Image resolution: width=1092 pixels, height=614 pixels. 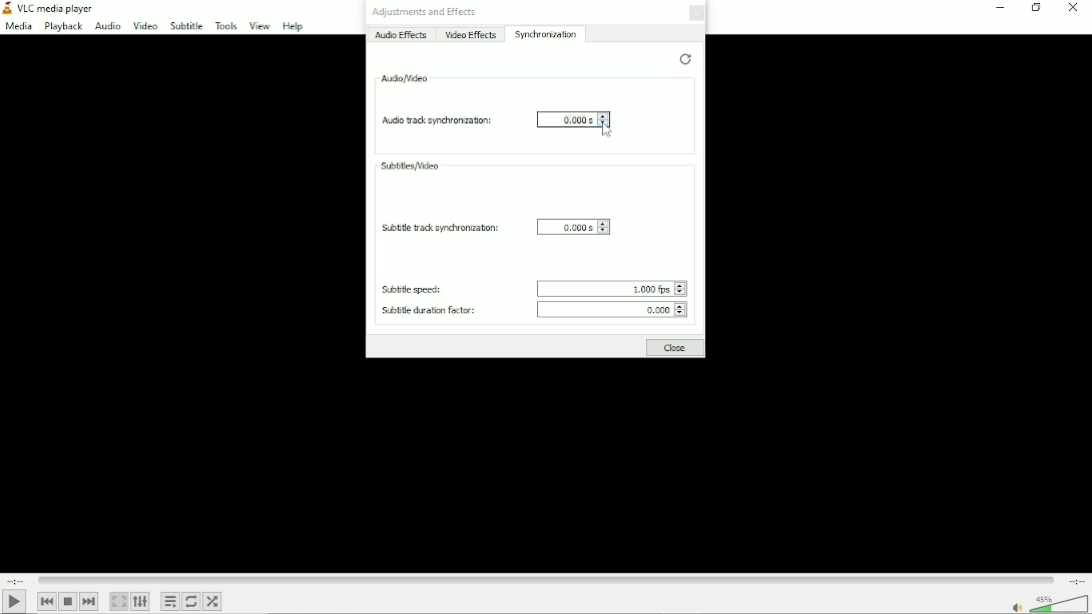 What do you see at coordinates (293, 25) in the screenshot?
I see `Help` at bounding box center [293, 25].